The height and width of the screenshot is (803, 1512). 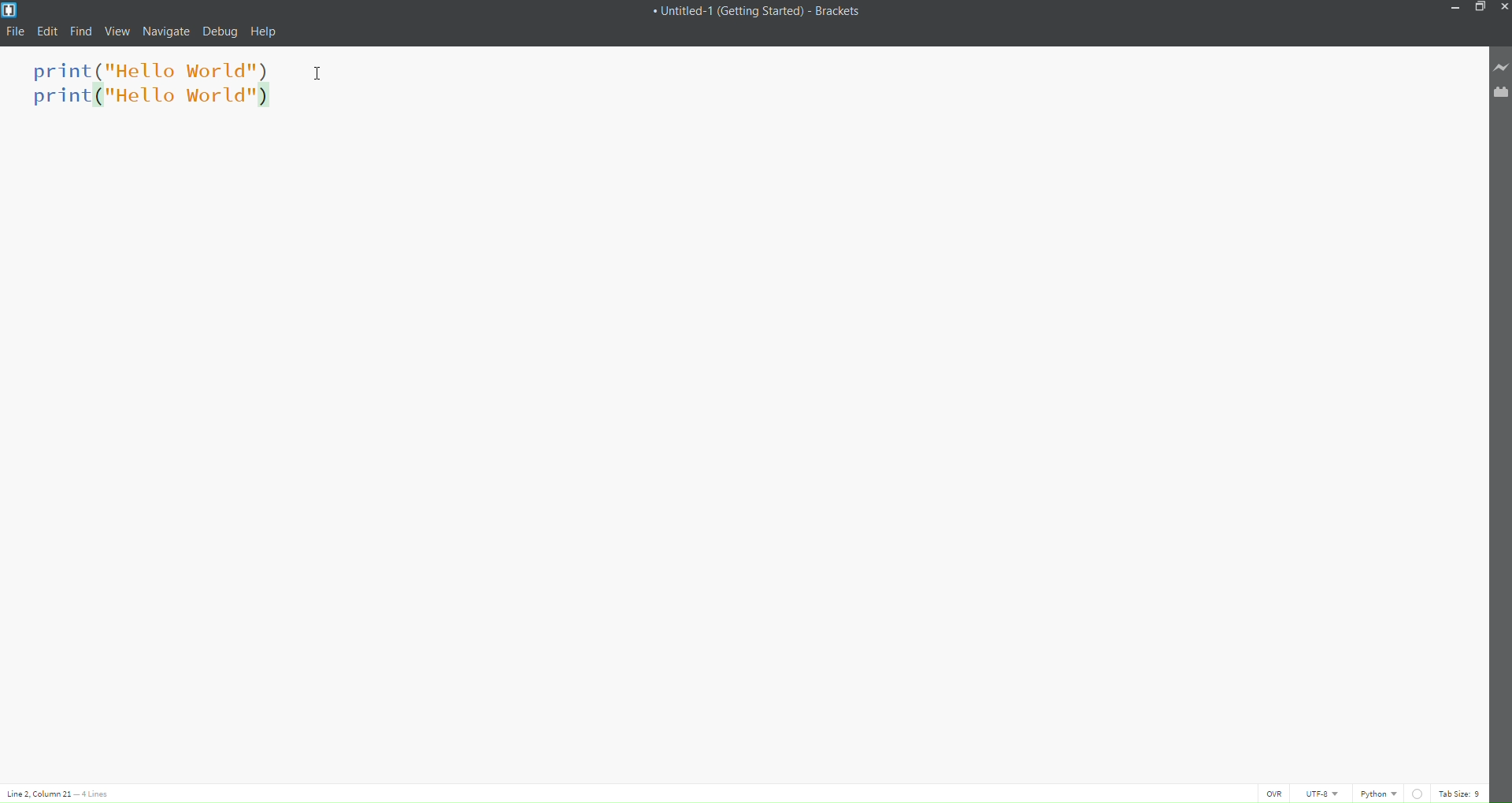 I want to click on view, so click(x=115, y=31).